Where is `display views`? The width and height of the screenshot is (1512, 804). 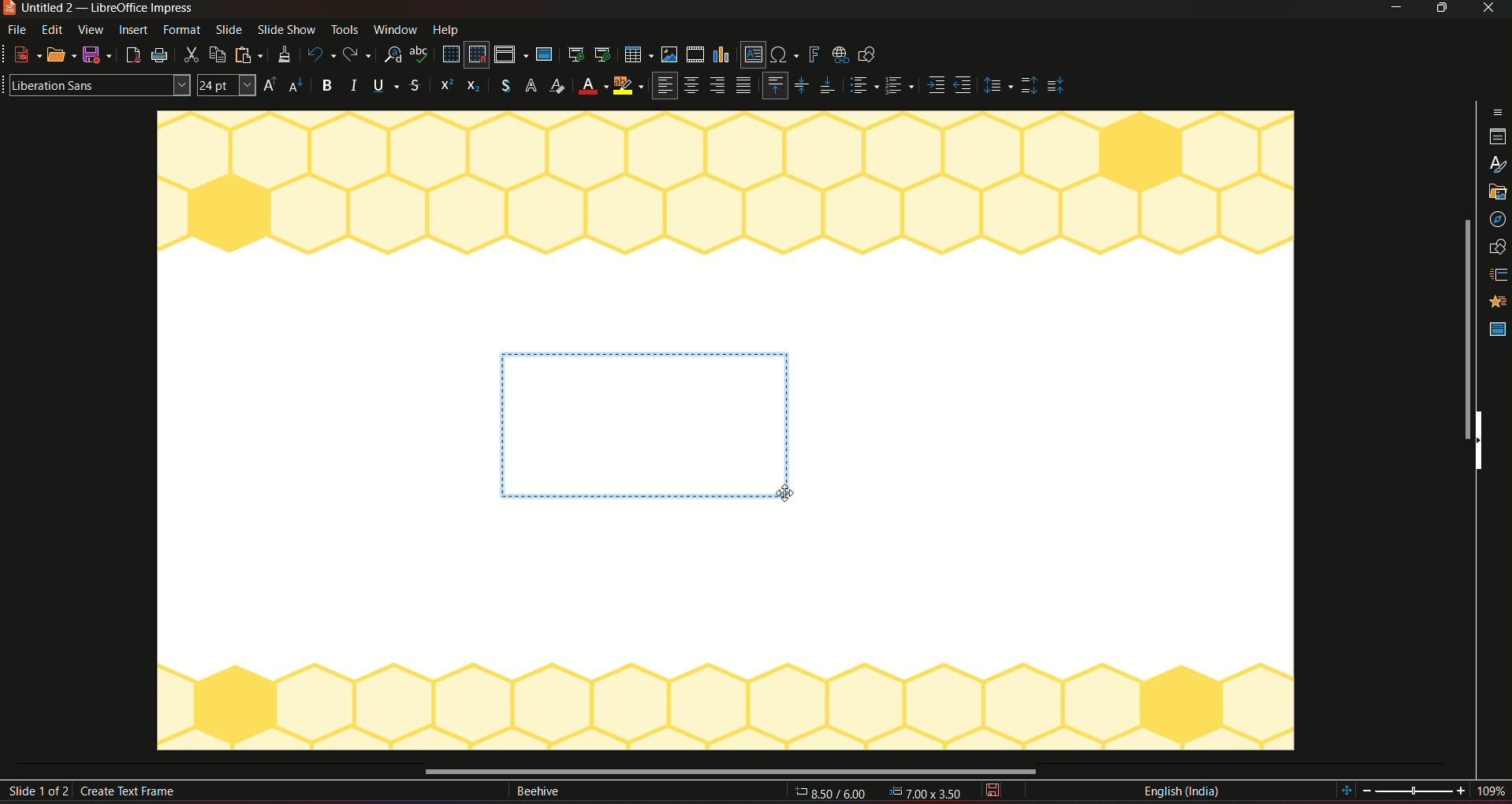
display views is located at coordinates (511, 55).